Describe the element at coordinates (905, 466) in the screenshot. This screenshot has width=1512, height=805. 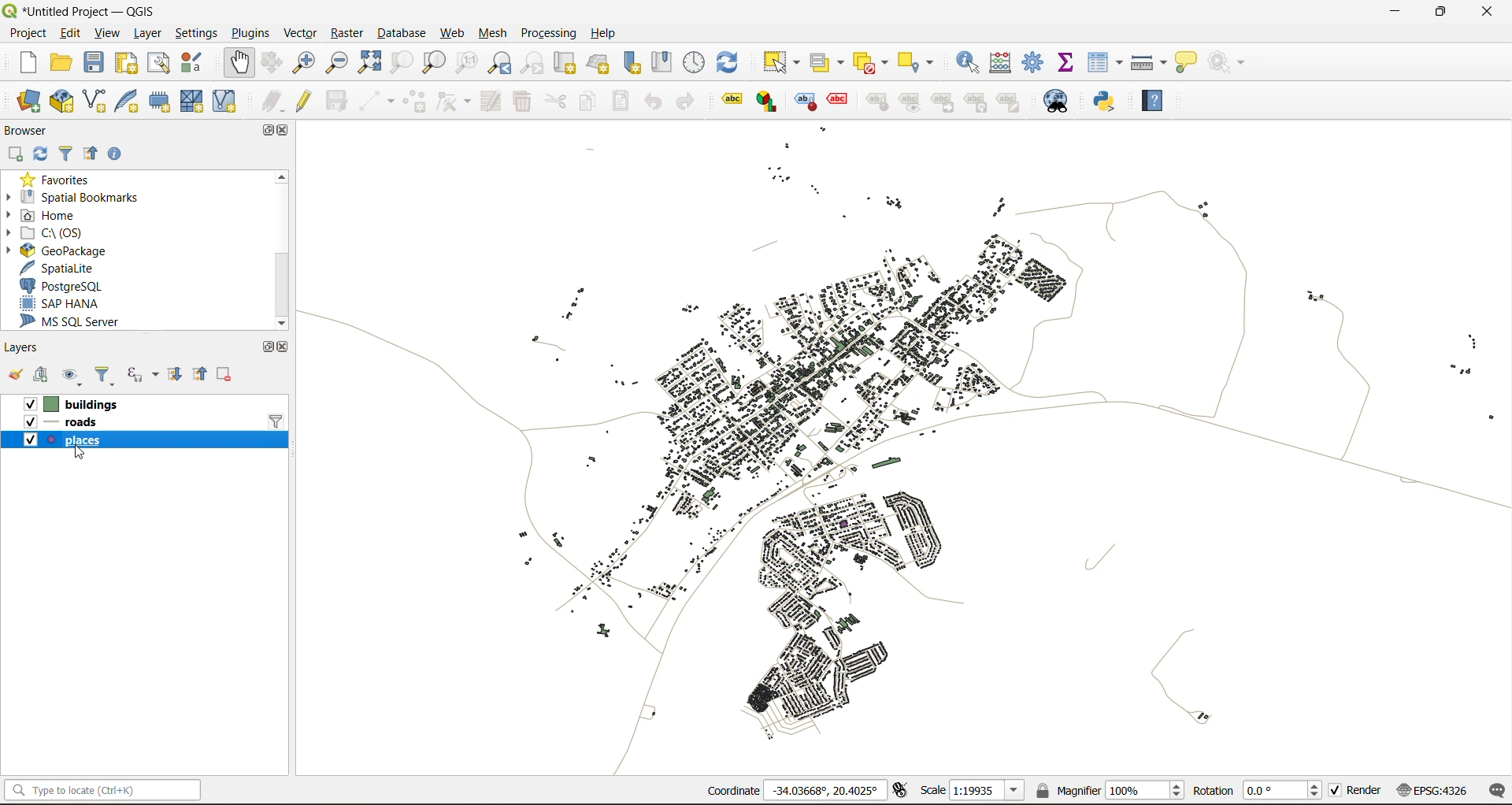
I see `map` at that location.